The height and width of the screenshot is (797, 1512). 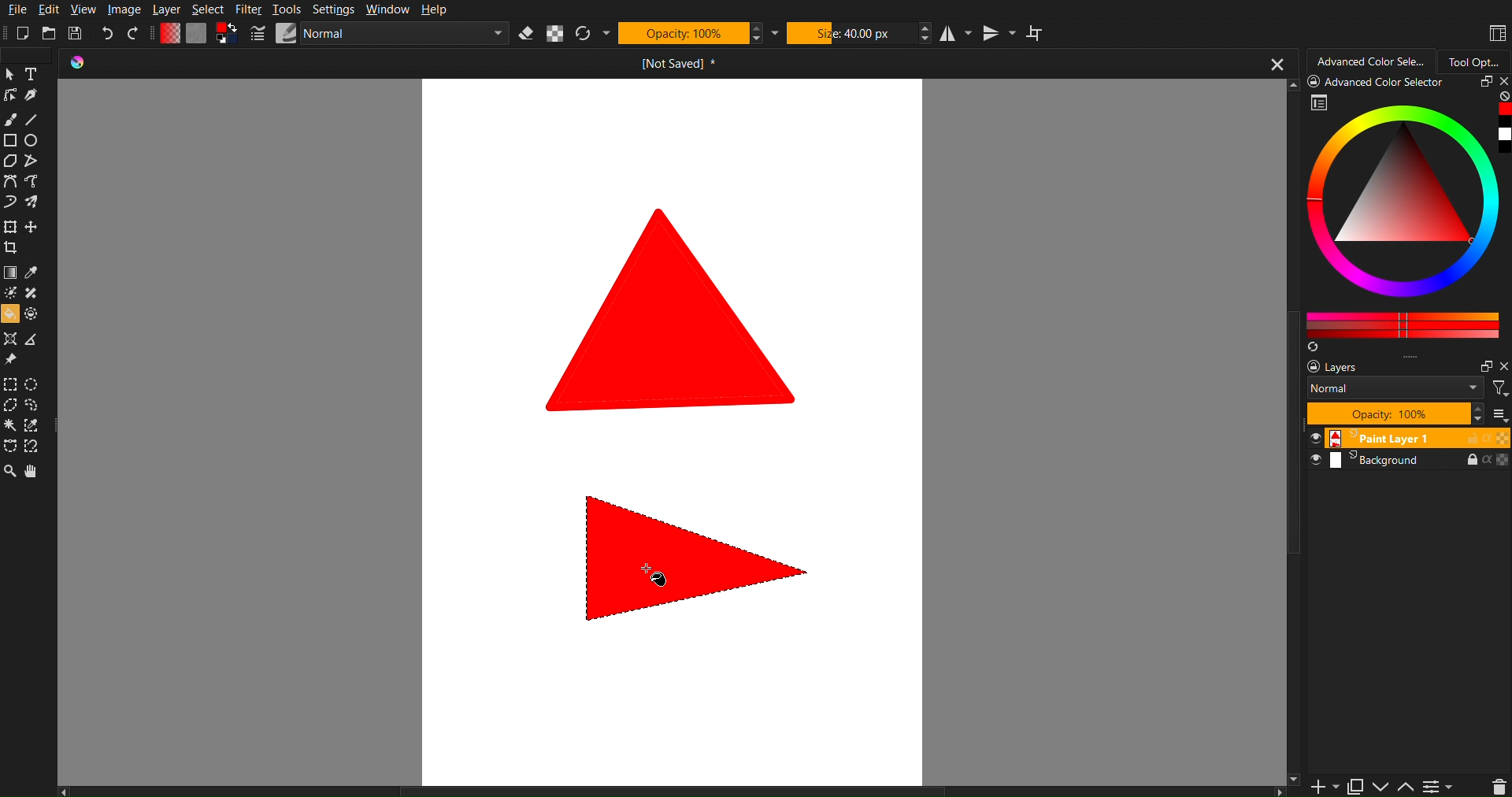 What do you see at coordinates (1411, 216) in the screenshot?
I see `Advanced Color Selector` at bounding box center [1411, 216].